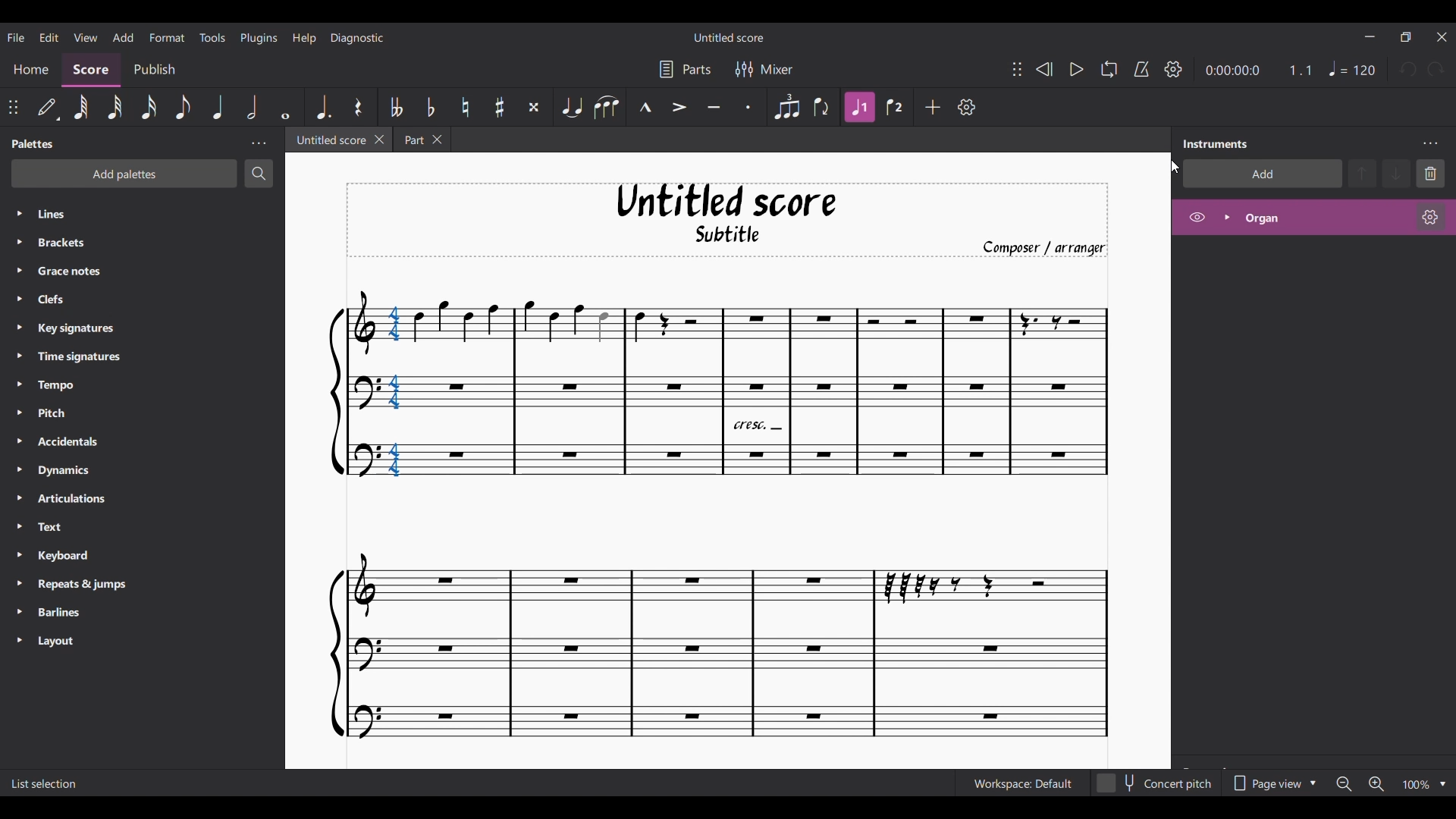 The height and width of the screenshot is (819, 1456). Describe the element at coordinates (329, 139) in the screenshot. I see `Current tab` at that location.